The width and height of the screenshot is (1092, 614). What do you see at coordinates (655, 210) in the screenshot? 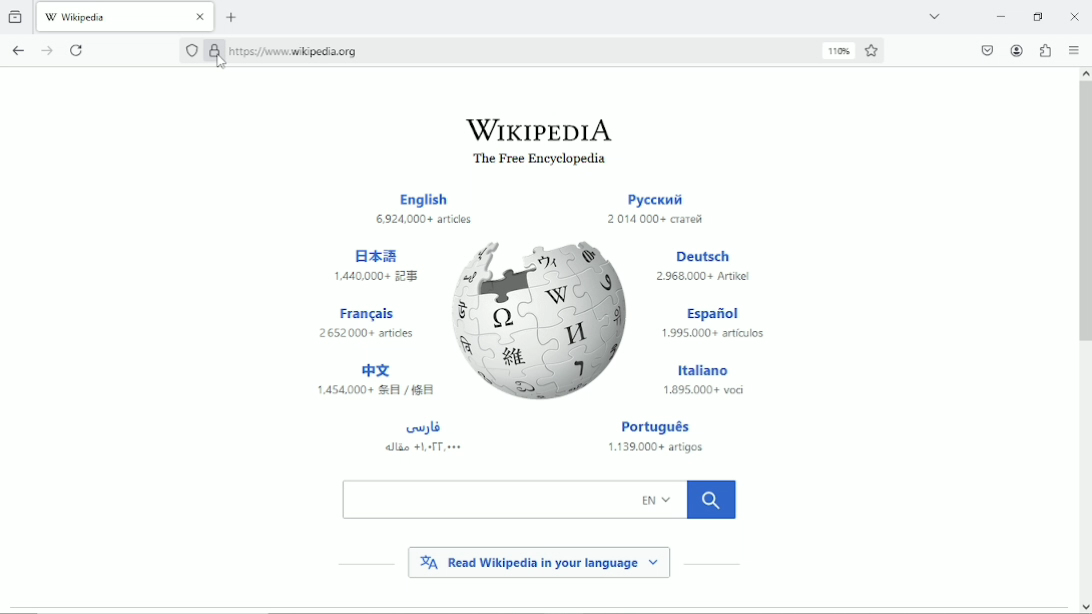
I see `Pycexmit2014 000+ articles` at bounding box center [655, 210].